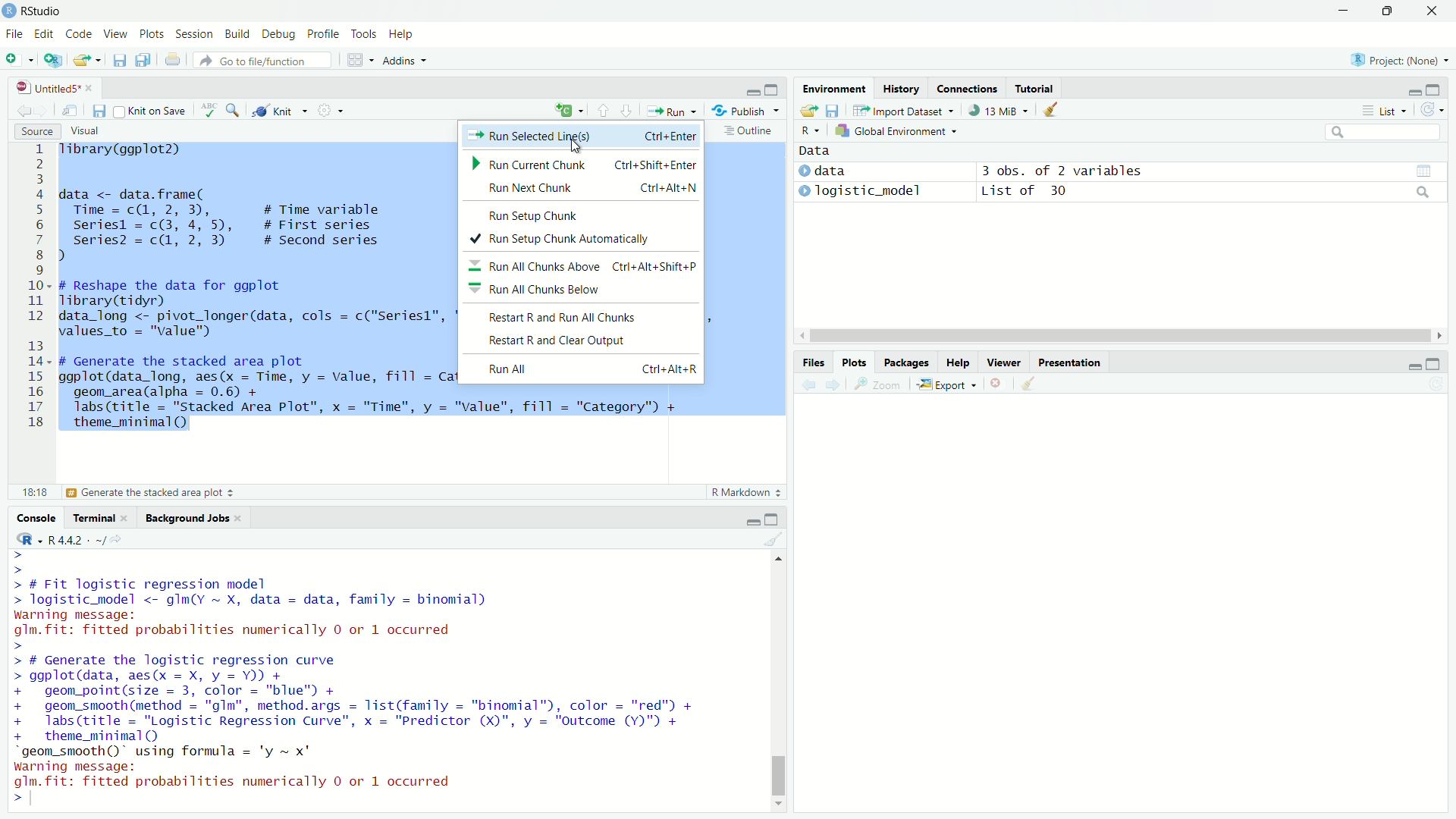 The height and width of the screenshot is (819, 1456). Describe the element at coordinates (85, 62) in the screenshot. I see `export` at that location.